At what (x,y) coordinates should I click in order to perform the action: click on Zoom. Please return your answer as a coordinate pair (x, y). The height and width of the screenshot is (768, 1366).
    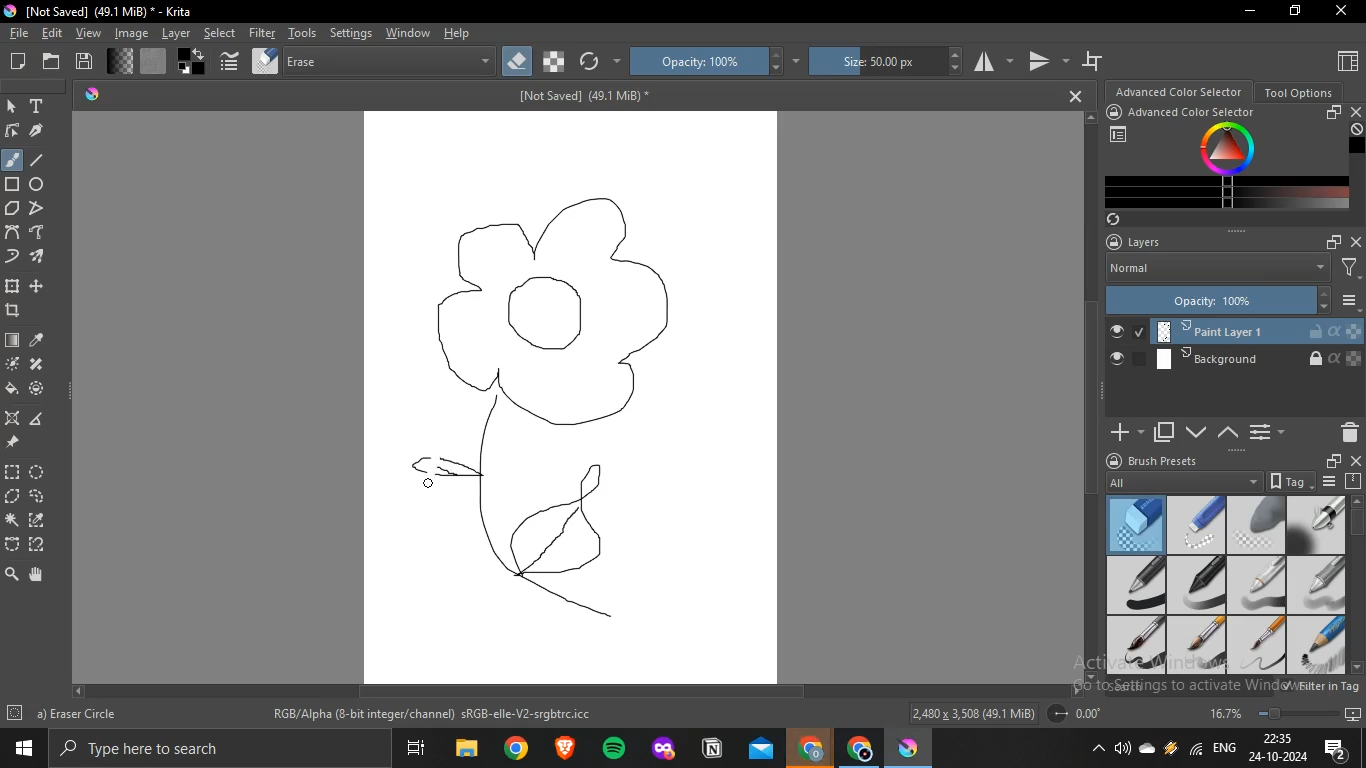
    Looking at the image, I should click on (1274, 712).